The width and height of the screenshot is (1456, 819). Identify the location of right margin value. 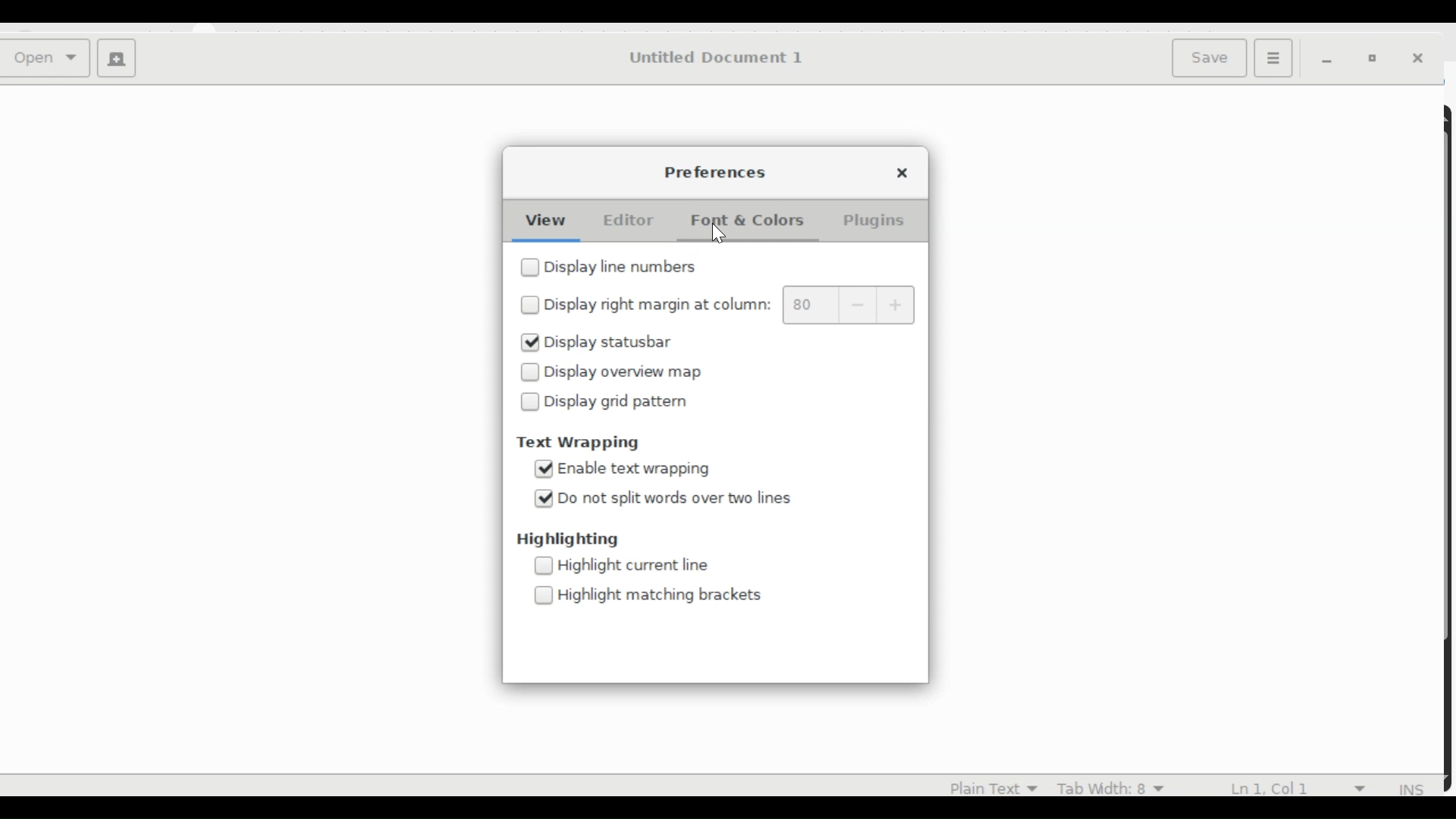
(811, 305).